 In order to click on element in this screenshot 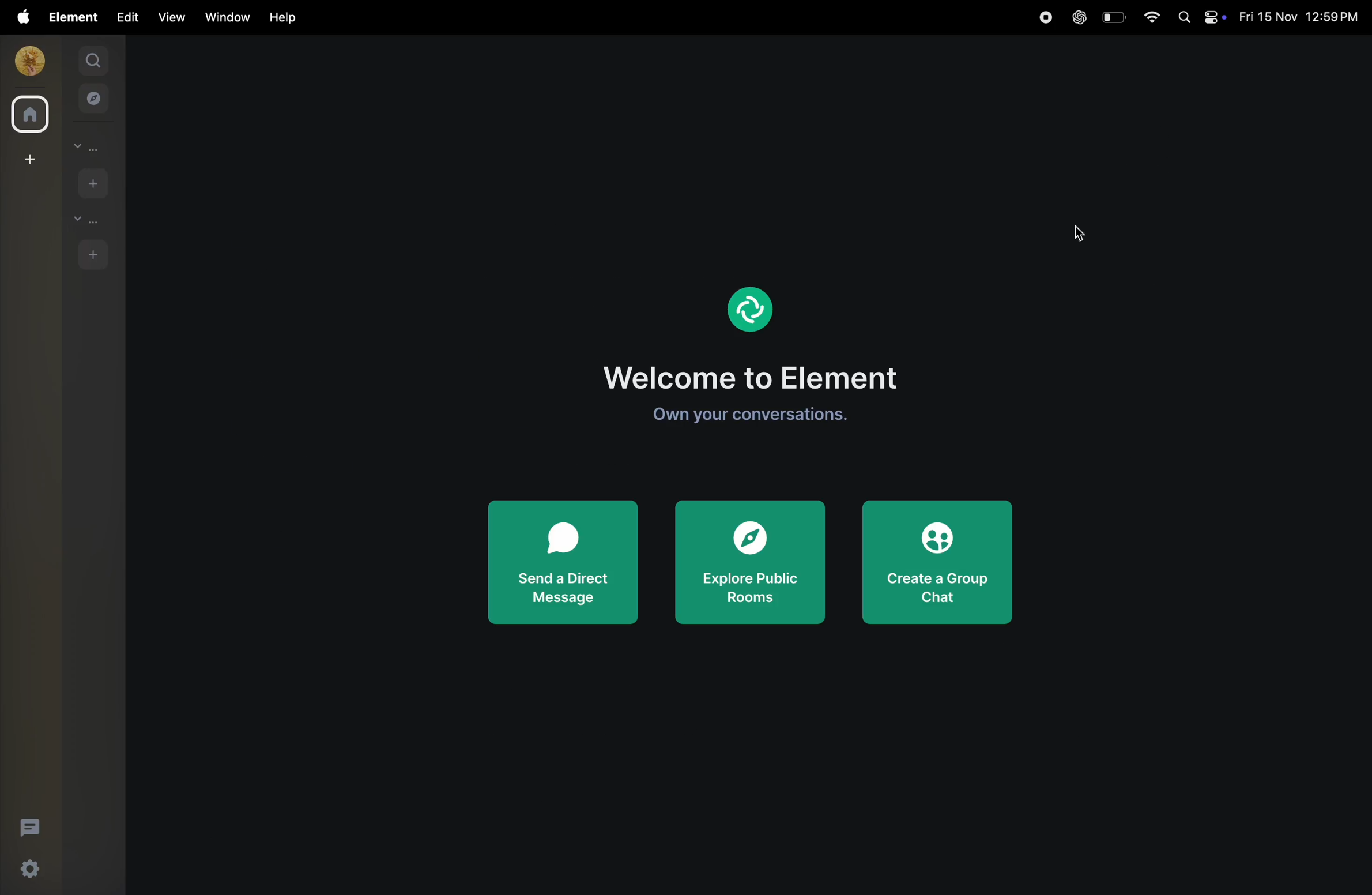, I will do `click(75, 17)`.